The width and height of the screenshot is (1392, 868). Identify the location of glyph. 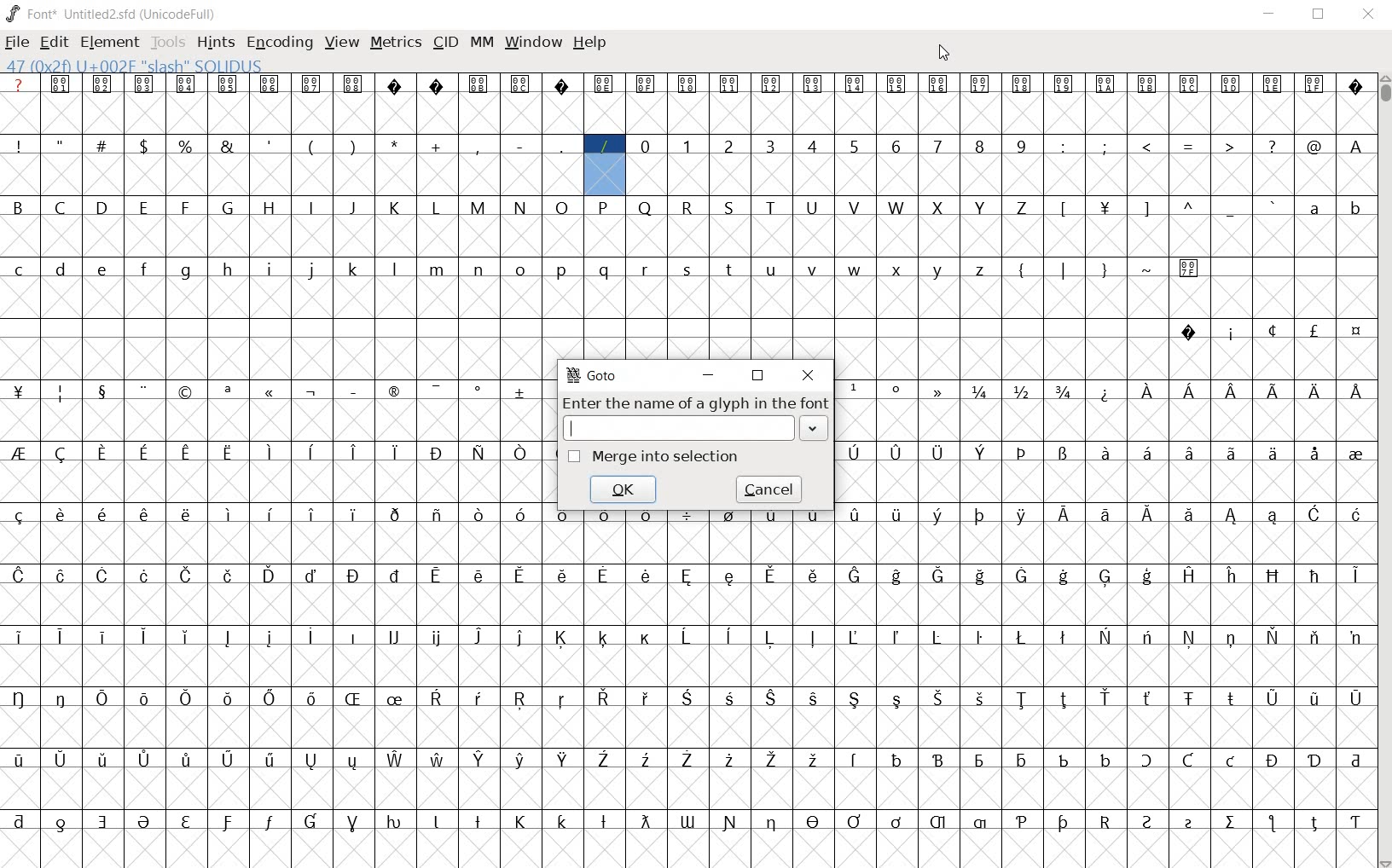
(438, 759).